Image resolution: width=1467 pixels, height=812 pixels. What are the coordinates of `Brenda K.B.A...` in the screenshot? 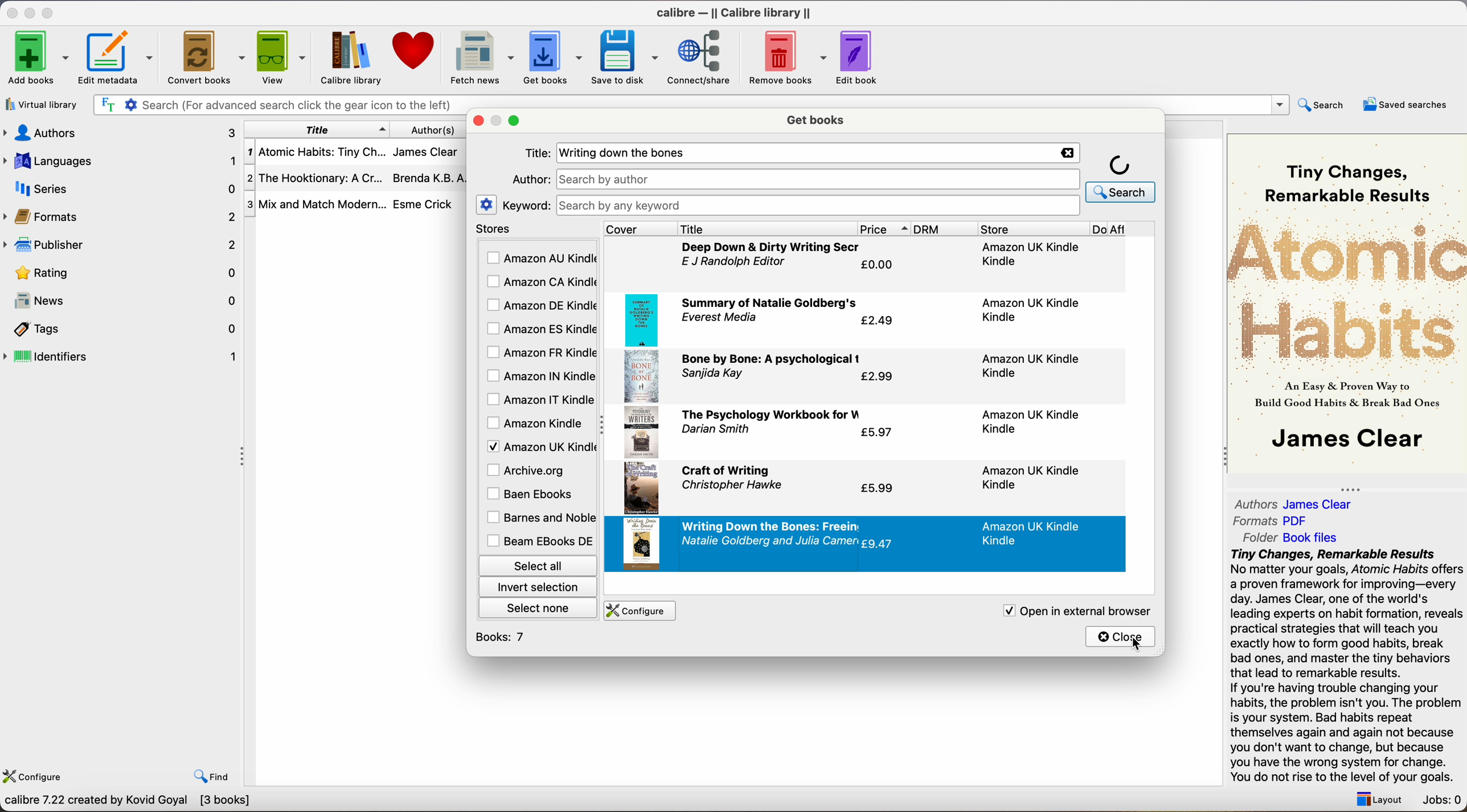 It's located at (433, 178).